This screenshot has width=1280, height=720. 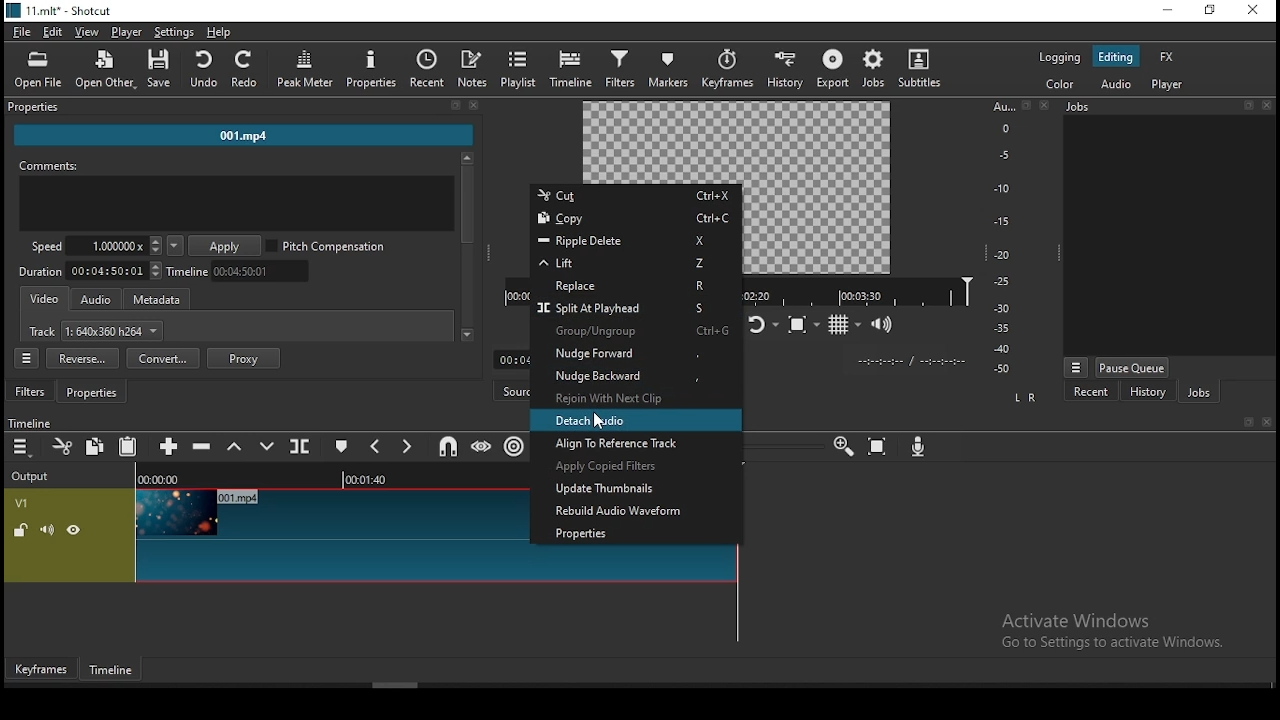 I want to click on audio scale, so click(x=1017, y=238).